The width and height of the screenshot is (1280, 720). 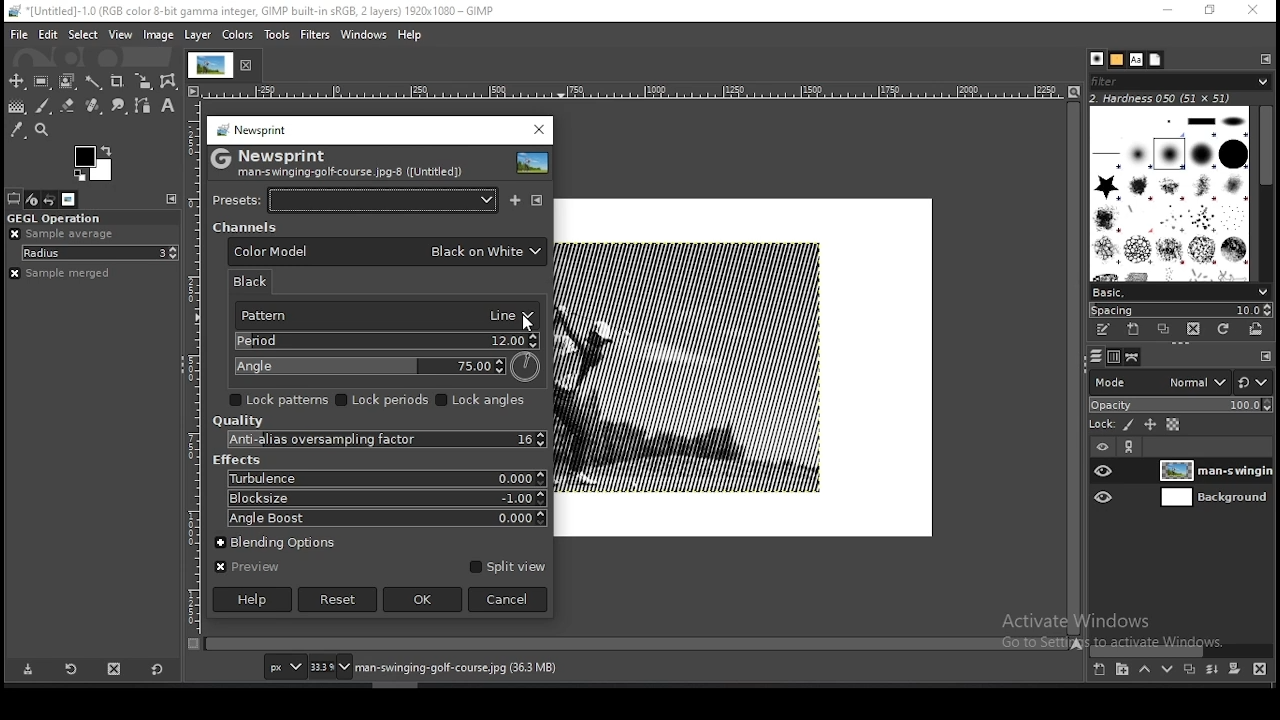 I want to click on reset, so click(x=1255, y=378).